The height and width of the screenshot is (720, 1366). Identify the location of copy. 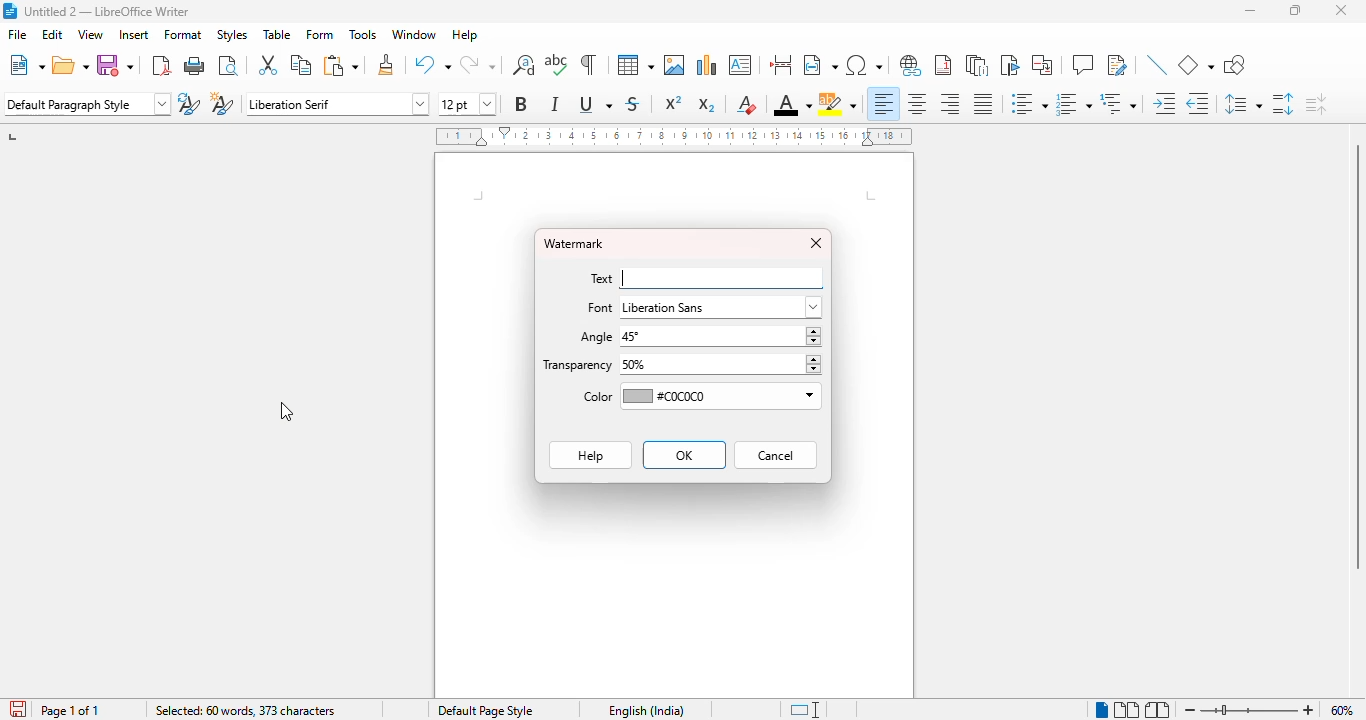
(301, 64).